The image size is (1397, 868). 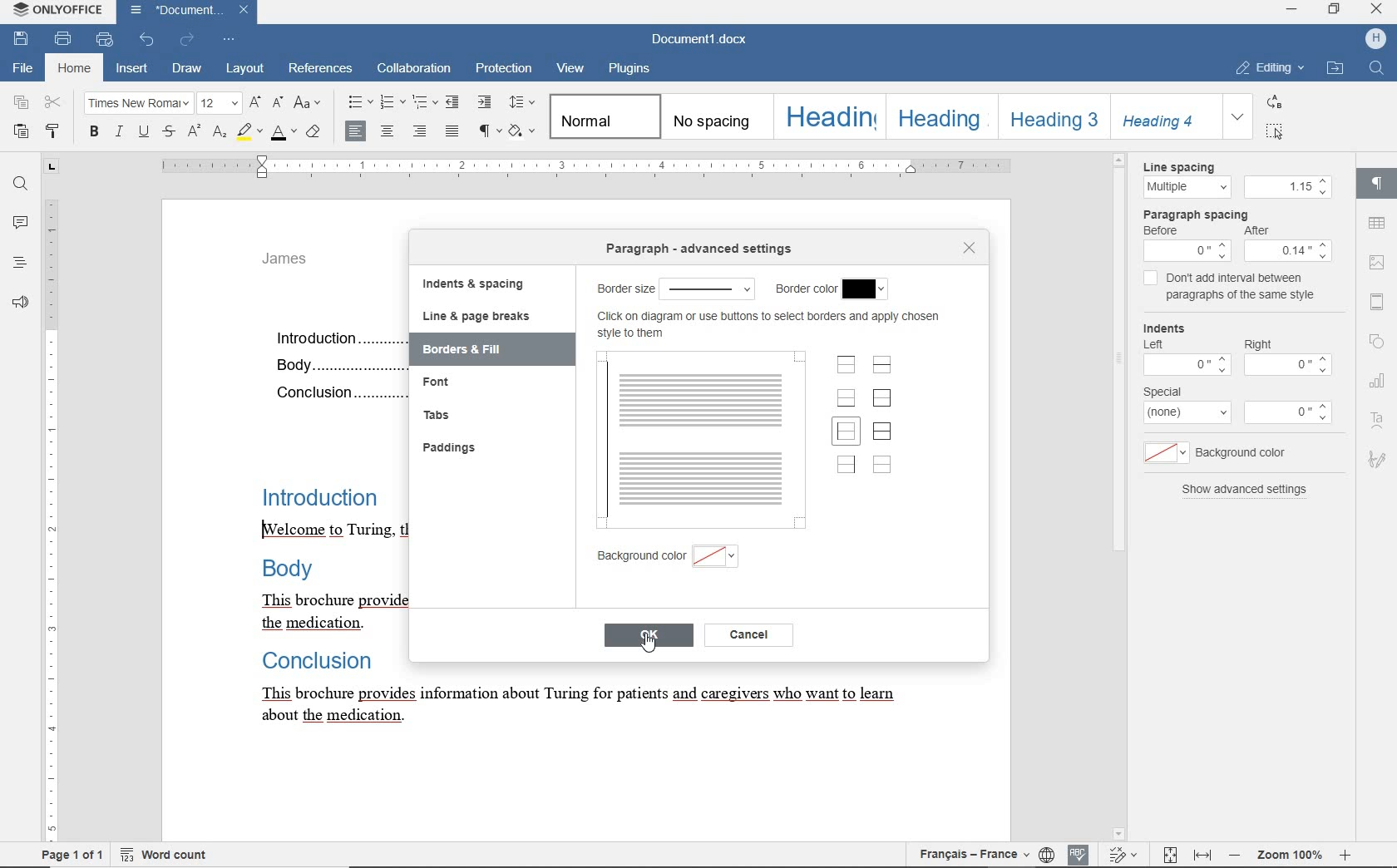 What do you see at coordinates (593, 167) in the screenshot?
I see `ruler` at bounding box center [593, 167].